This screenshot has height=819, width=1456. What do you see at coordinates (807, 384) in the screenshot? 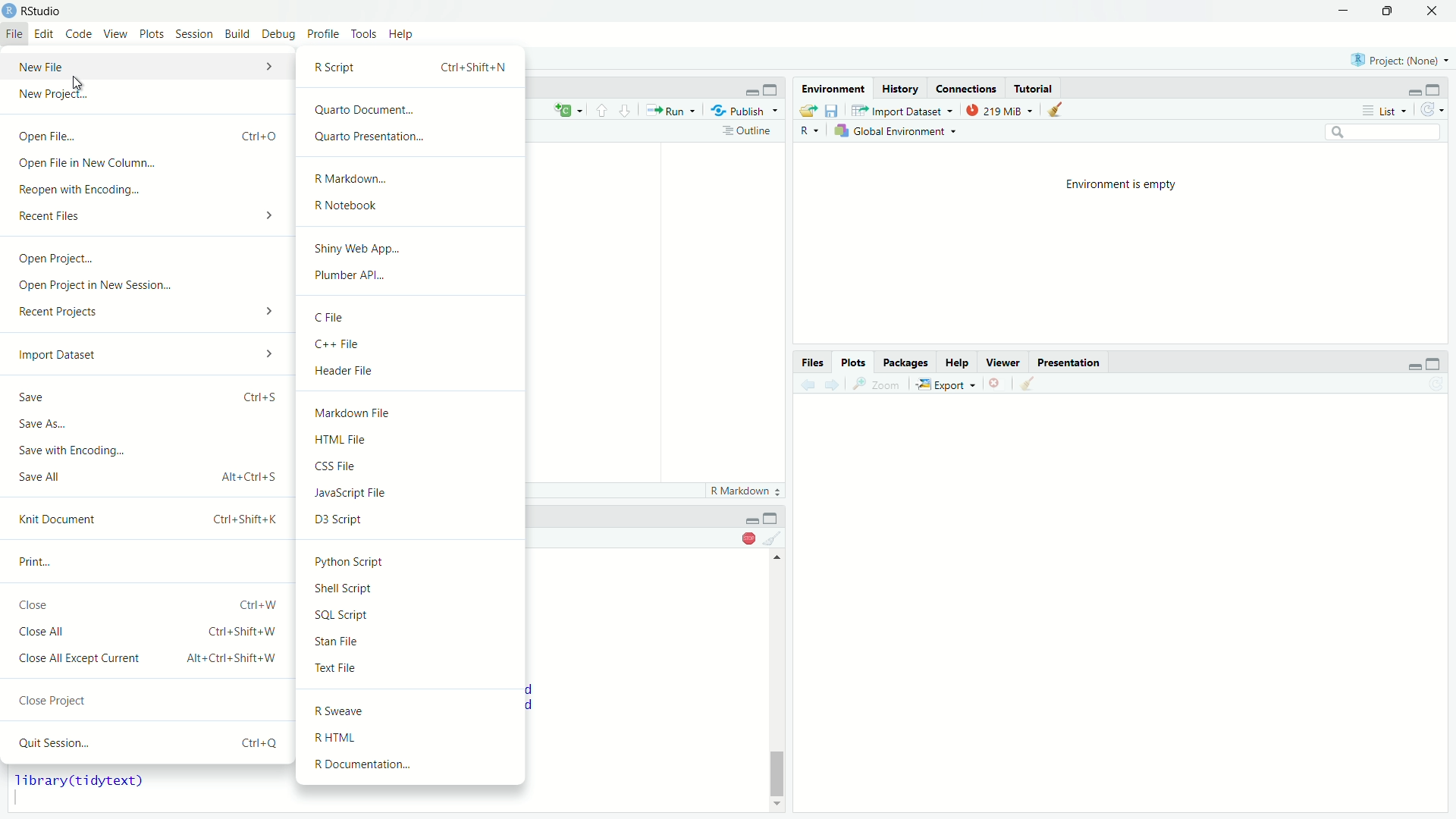
I see `previous plot` at bounding box center [807, 384].